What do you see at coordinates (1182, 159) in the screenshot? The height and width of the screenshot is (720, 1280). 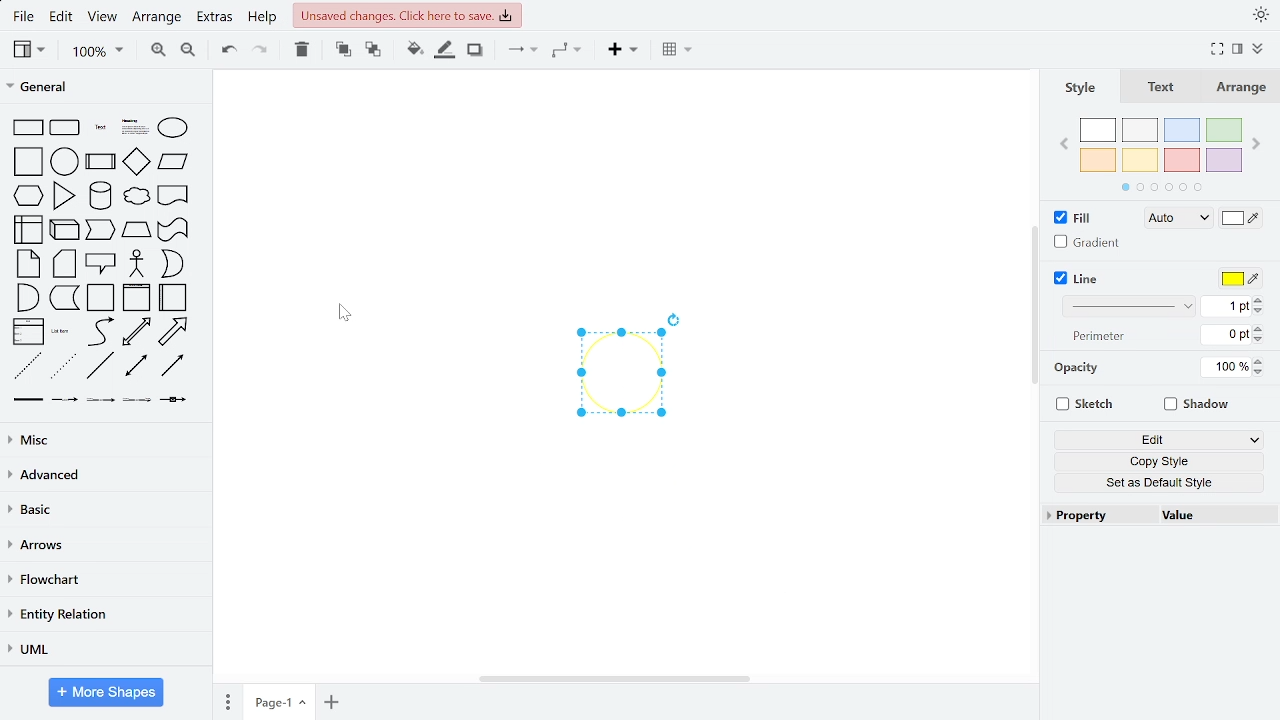 I see `red` at bounding box center [1182, 159].